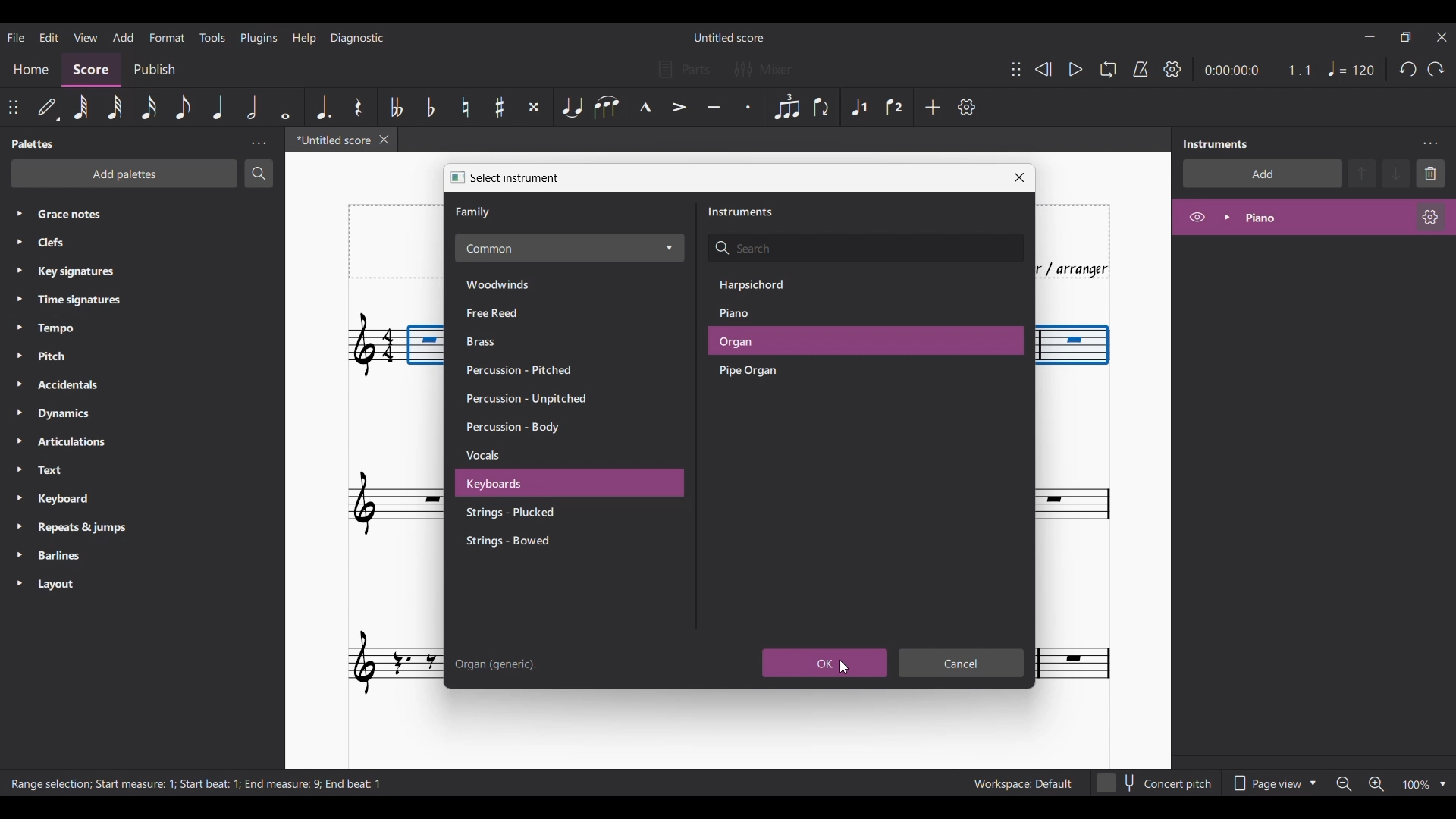  What do you see at coordinates (1396, 173) in the screenshot?
I see `Move instrument down` at bounding box center [1396, 173].